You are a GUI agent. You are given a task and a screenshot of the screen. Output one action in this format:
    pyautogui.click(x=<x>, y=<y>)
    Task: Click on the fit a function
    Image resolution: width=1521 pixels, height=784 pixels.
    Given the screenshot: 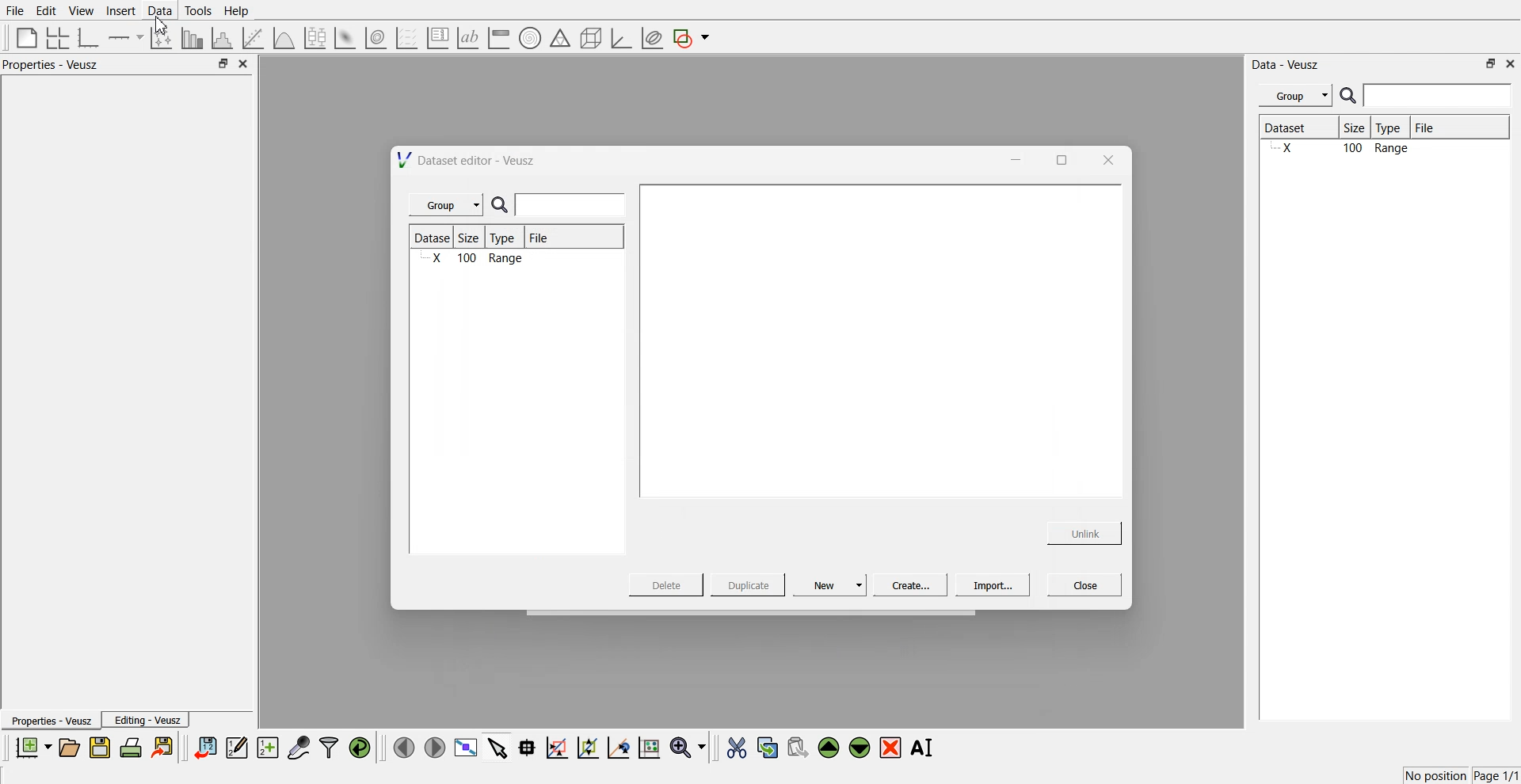 What is the action you would take?
    pyautogui.click(x=254, y=36)
    